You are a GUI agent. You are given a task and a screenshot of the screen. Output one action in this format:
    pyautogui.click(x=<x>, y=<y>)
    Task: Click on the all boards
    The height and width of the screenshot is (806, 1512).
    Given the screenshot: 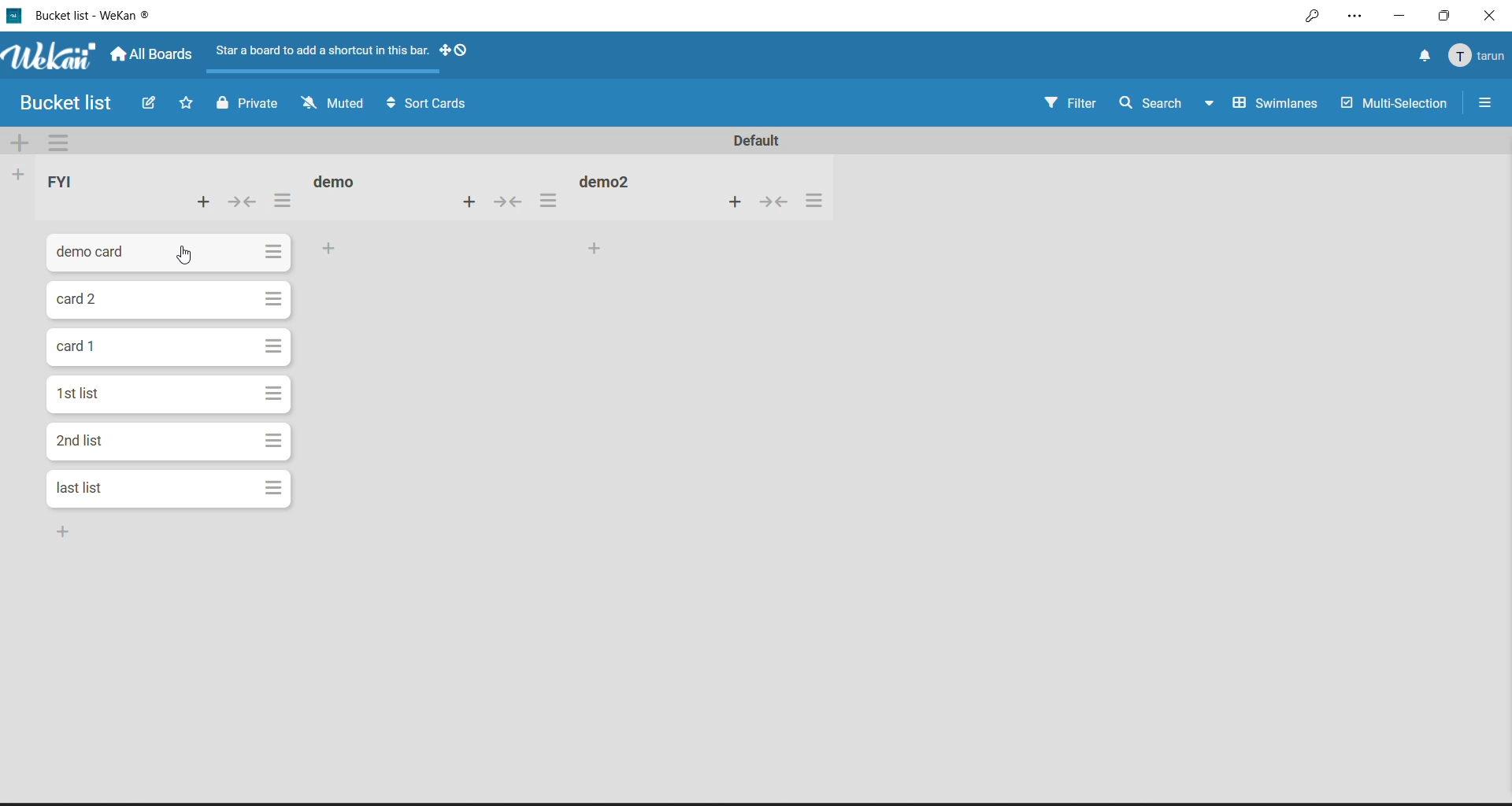 What is the action you would take?
    pyautogui.click(x=154, y=54)
    